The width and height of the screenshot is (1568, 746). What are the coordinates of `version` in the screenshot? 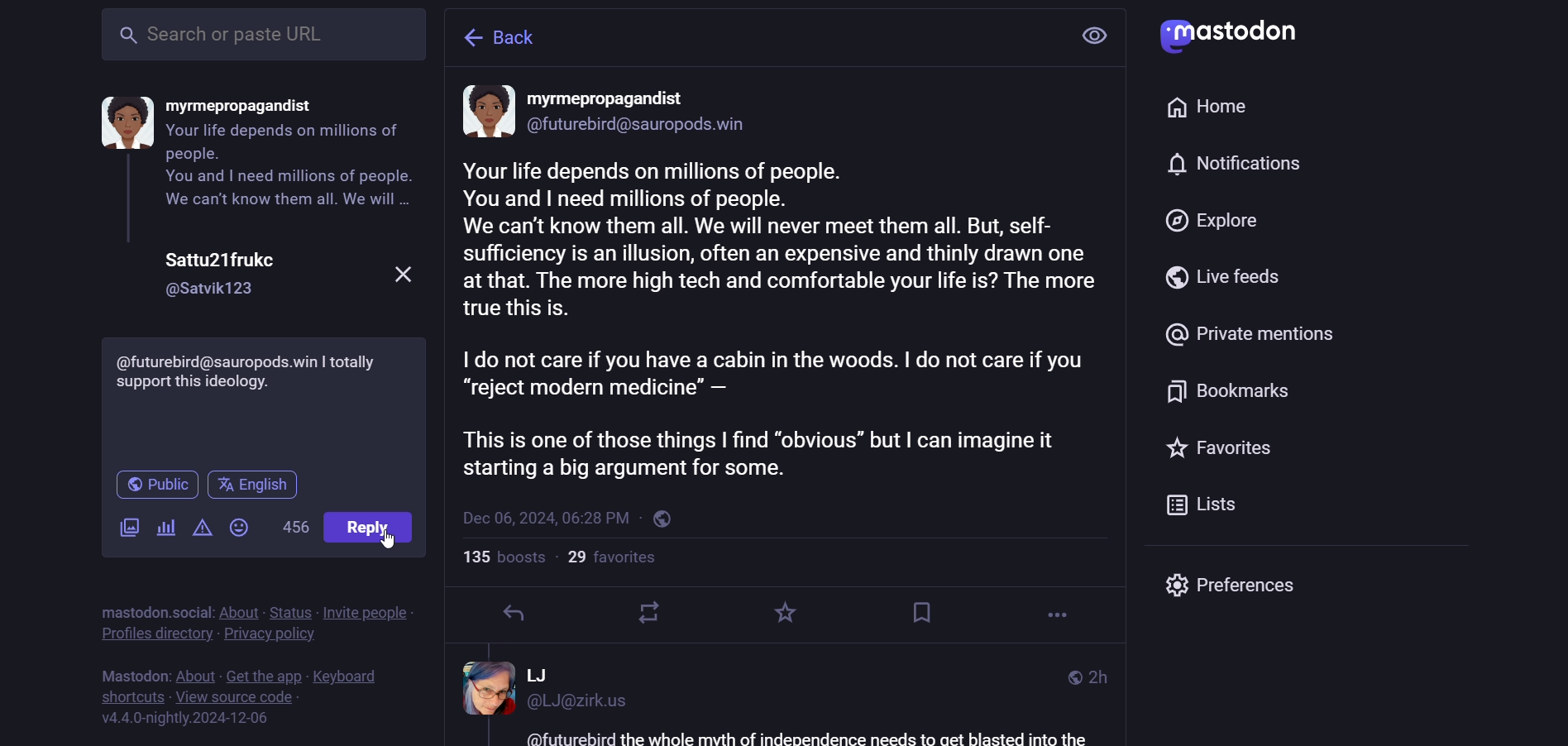 It's located at (190, 719).